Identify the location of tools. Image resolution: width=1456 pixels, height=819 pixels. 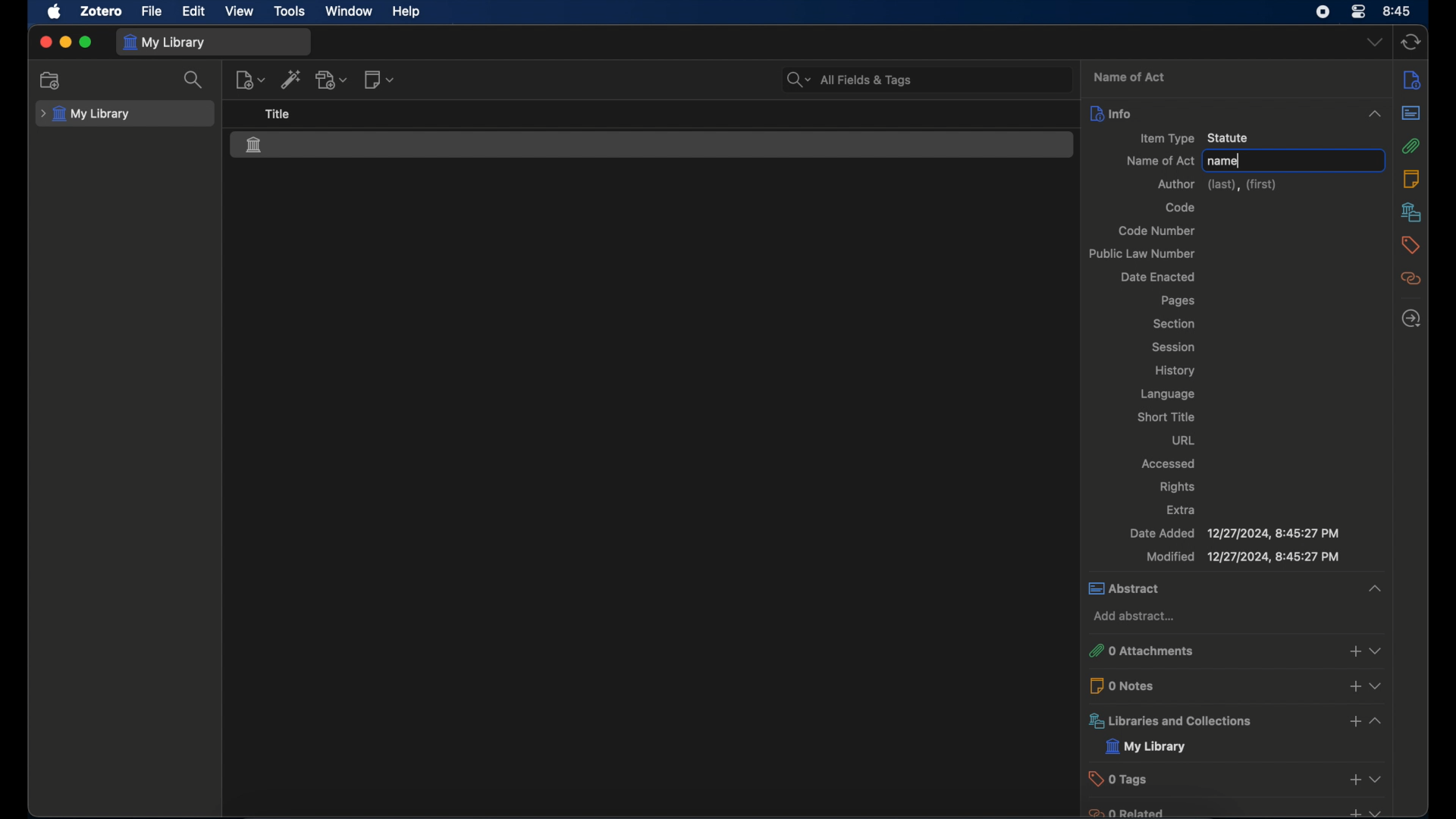
(290, 11).